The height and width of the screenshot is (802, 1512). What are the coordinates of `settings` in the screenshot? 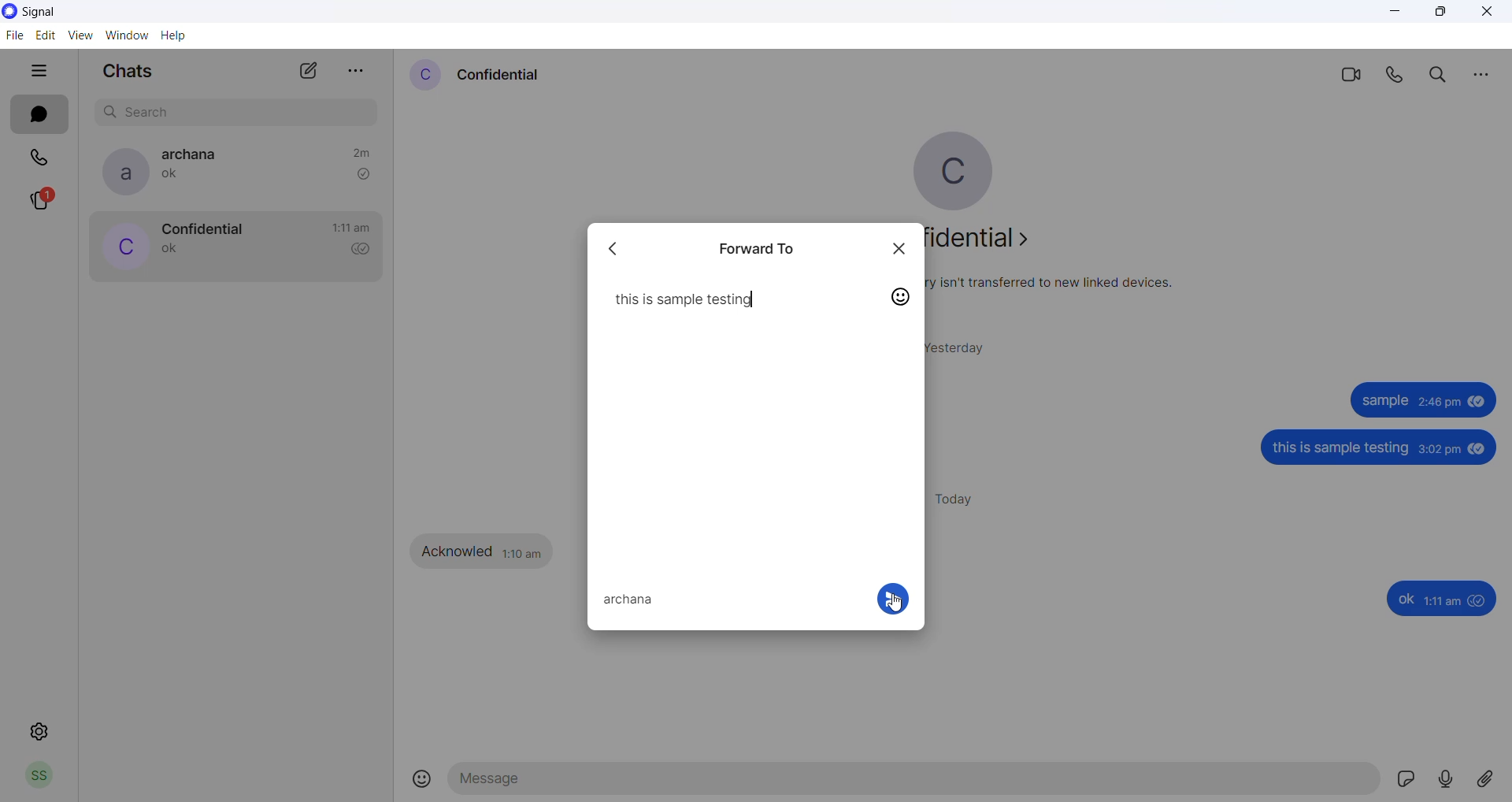 It's located at (39, 732).